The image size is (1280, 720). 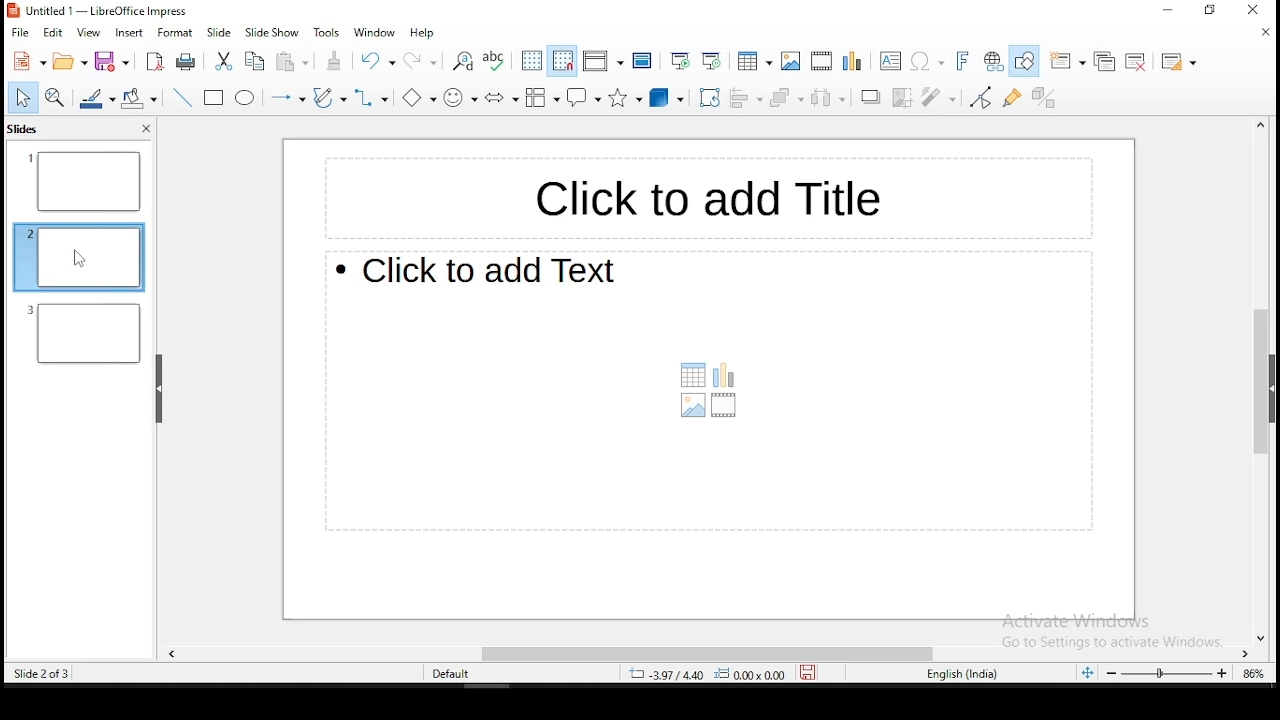 I want to click on insert, so click(x=128, y=33).